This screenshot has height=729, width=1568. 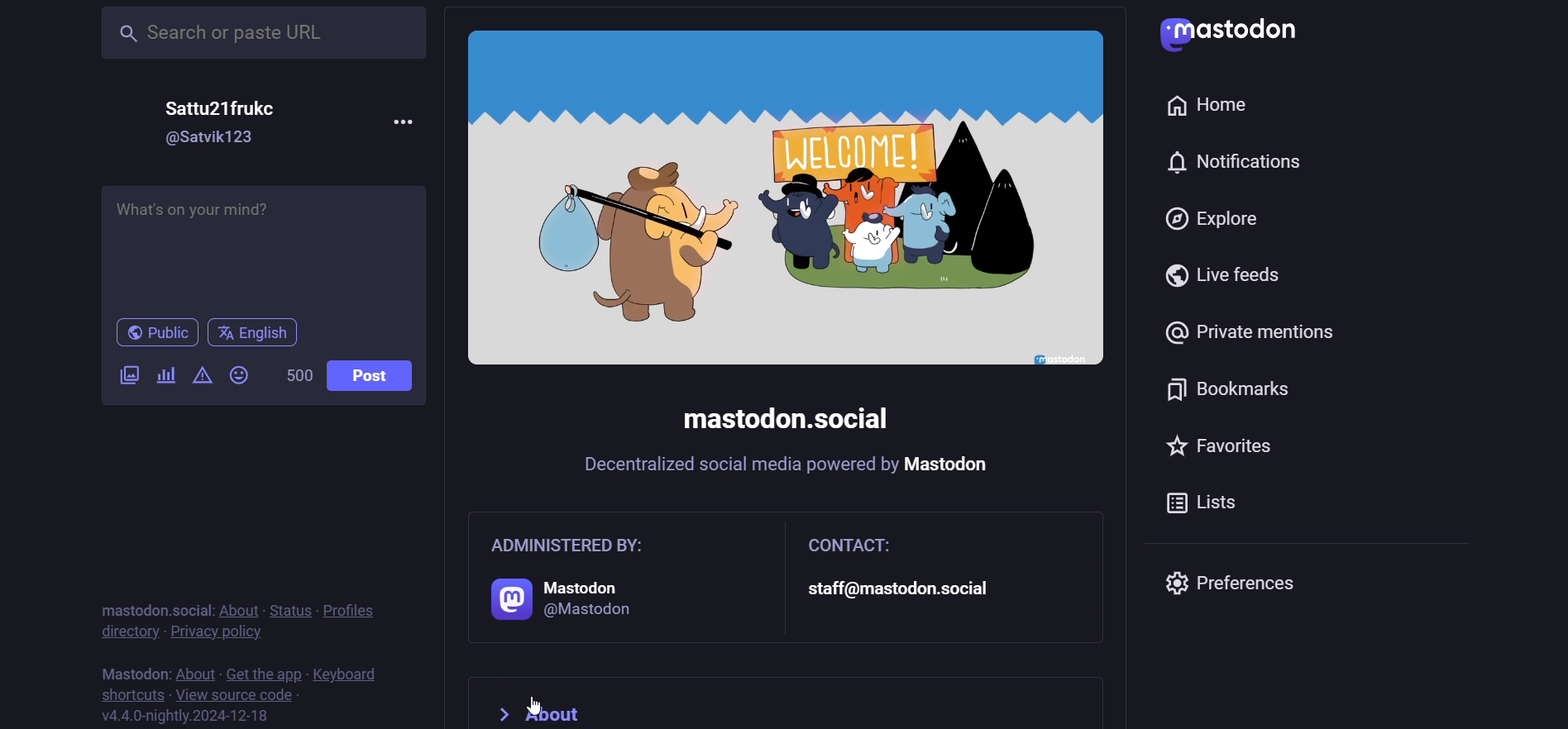 I want to click on contact, so click(x=944, y=574).